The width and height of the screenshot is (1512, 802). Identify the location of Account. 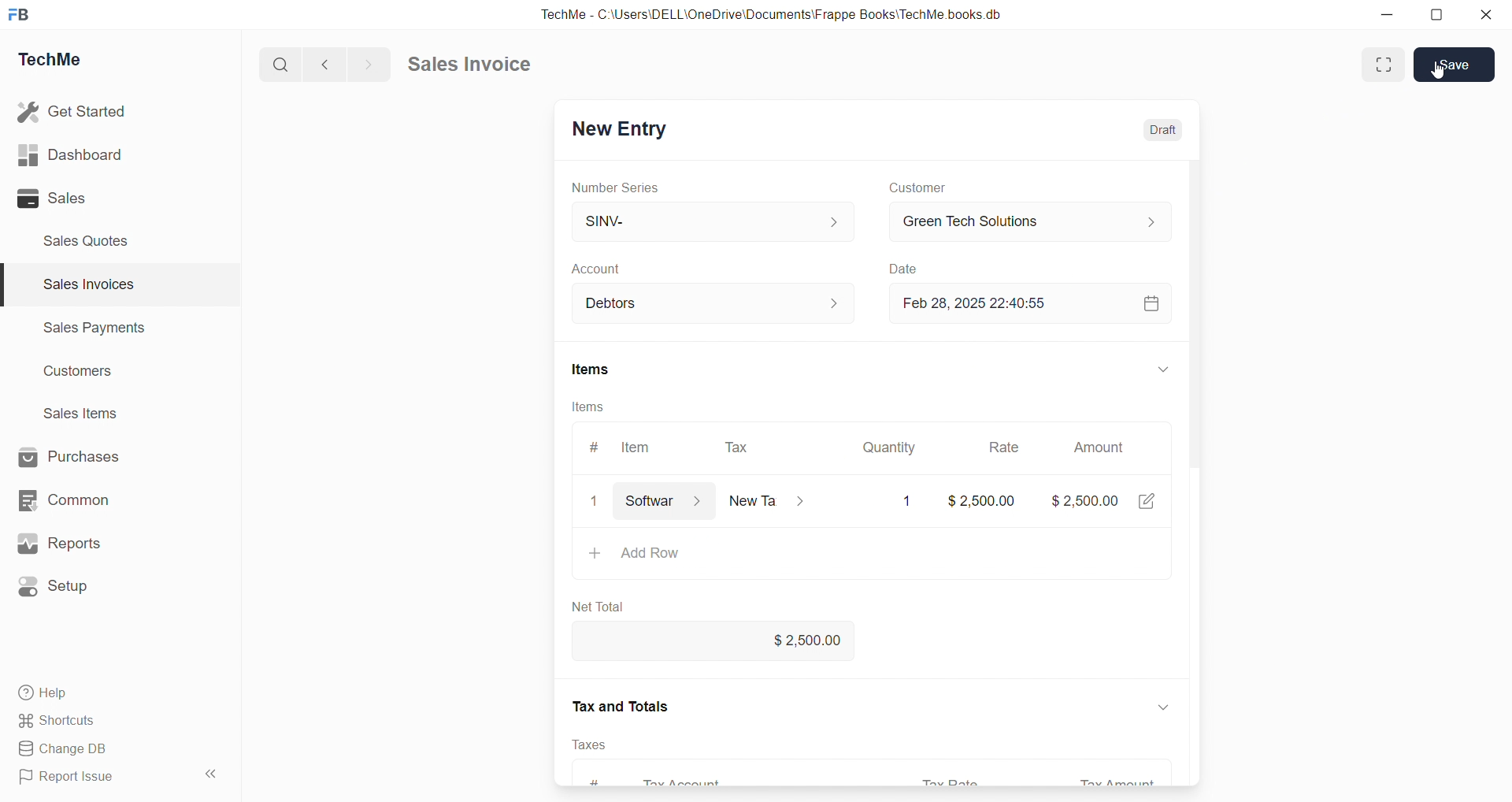
(604, 269).